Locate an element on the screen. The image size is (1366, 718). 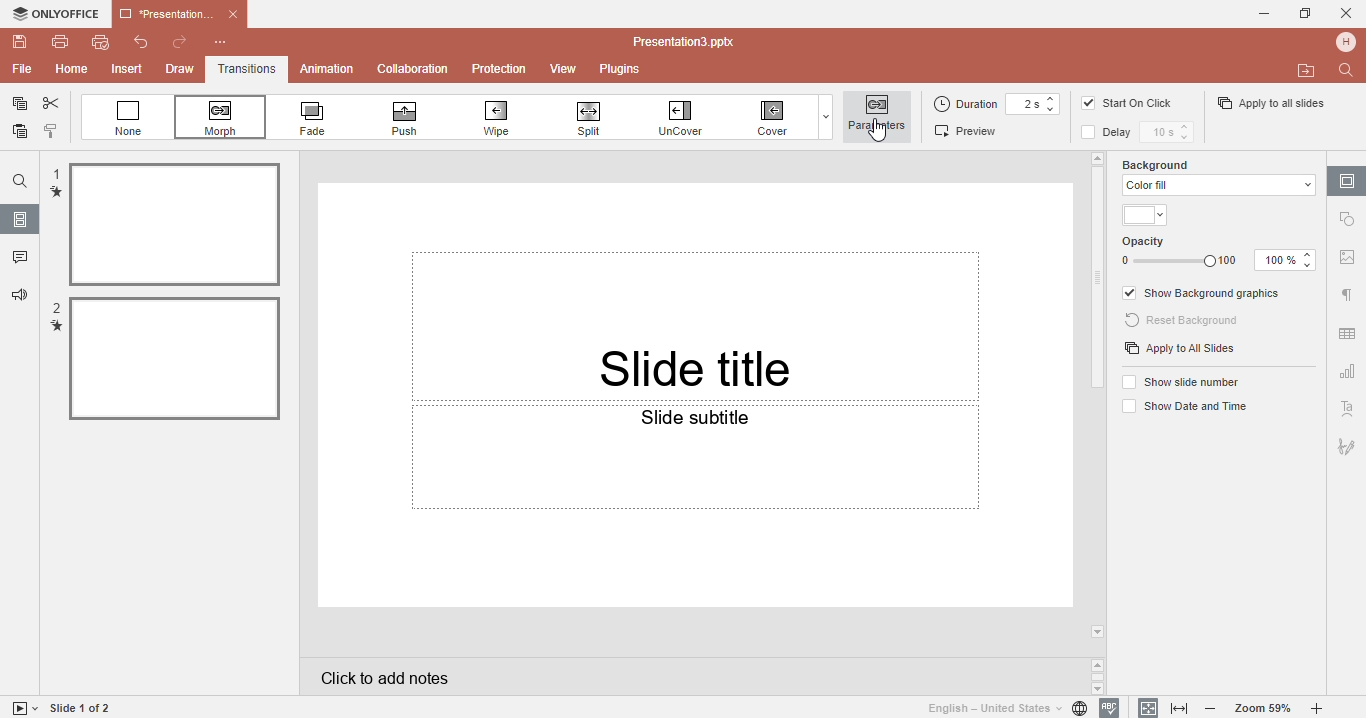
Fit to slidee is located at coordinates (1144, 707).